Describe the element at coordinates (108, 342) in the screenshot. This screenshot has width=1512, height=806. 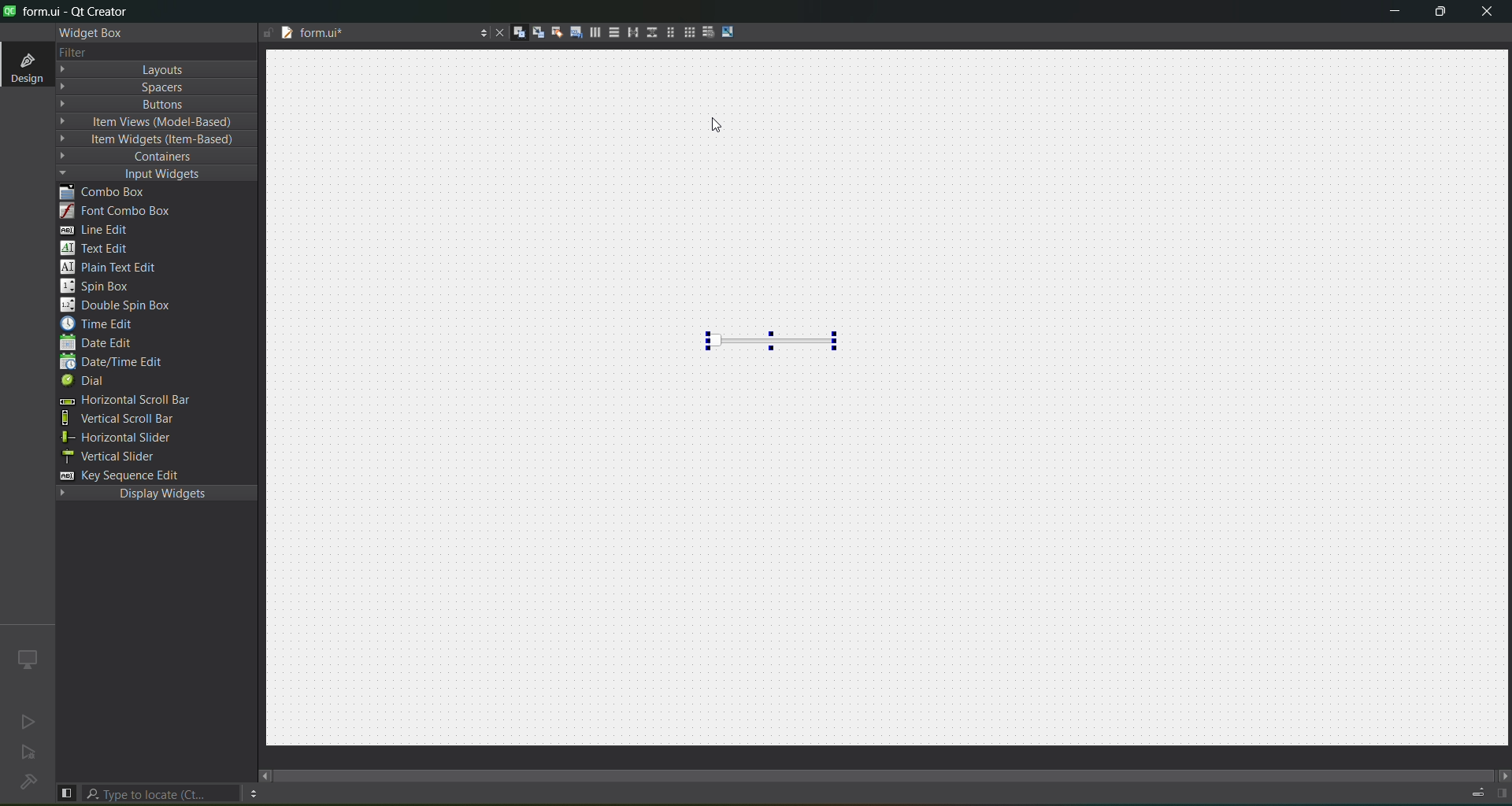
I see `date edit` at that location.